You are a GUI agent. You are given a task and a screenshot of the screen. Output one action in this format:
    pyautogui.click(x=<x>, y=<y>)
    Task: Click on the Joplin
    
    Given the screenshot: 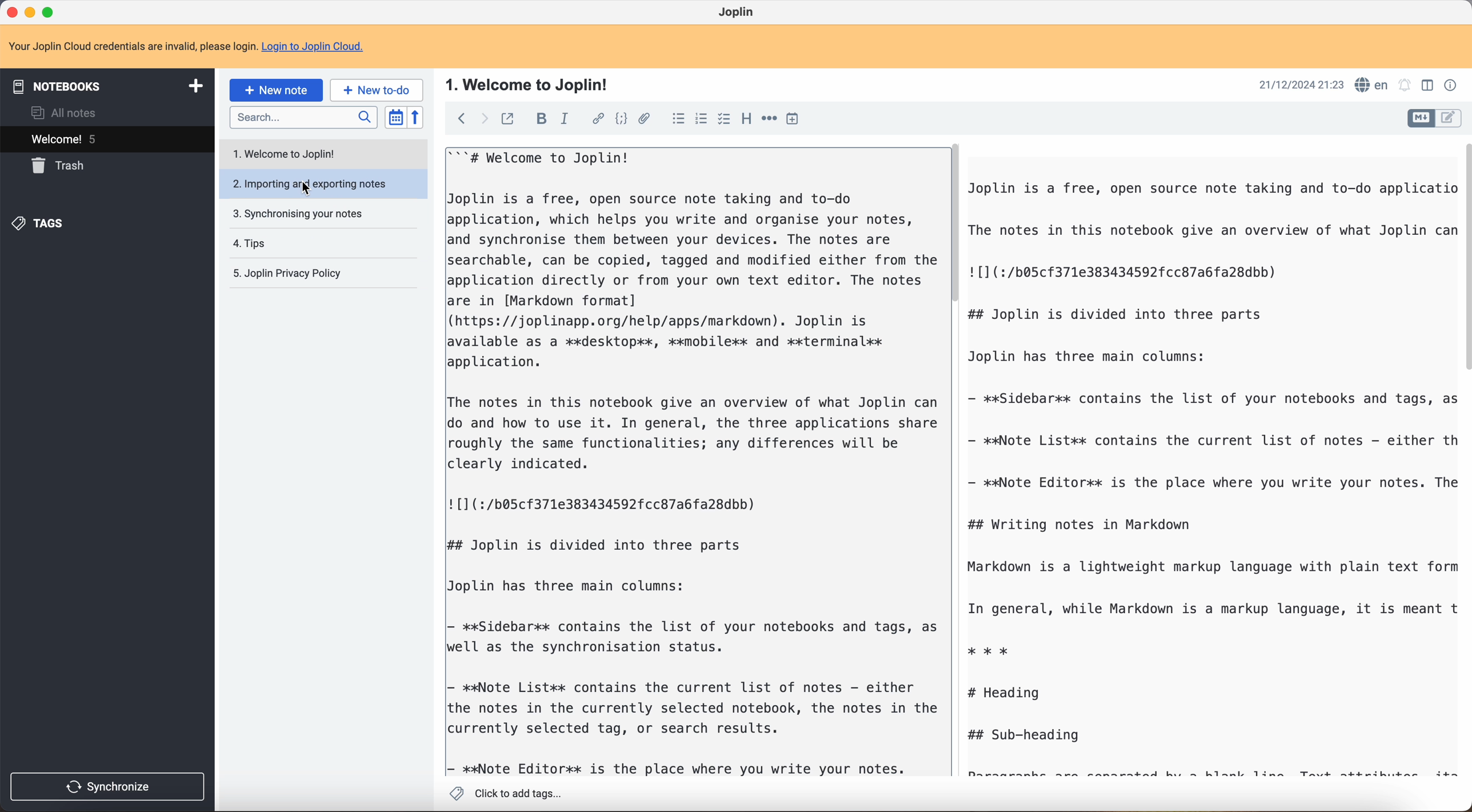 What is the action you would take?
    pyautogui.click(x=739, y=13)
    